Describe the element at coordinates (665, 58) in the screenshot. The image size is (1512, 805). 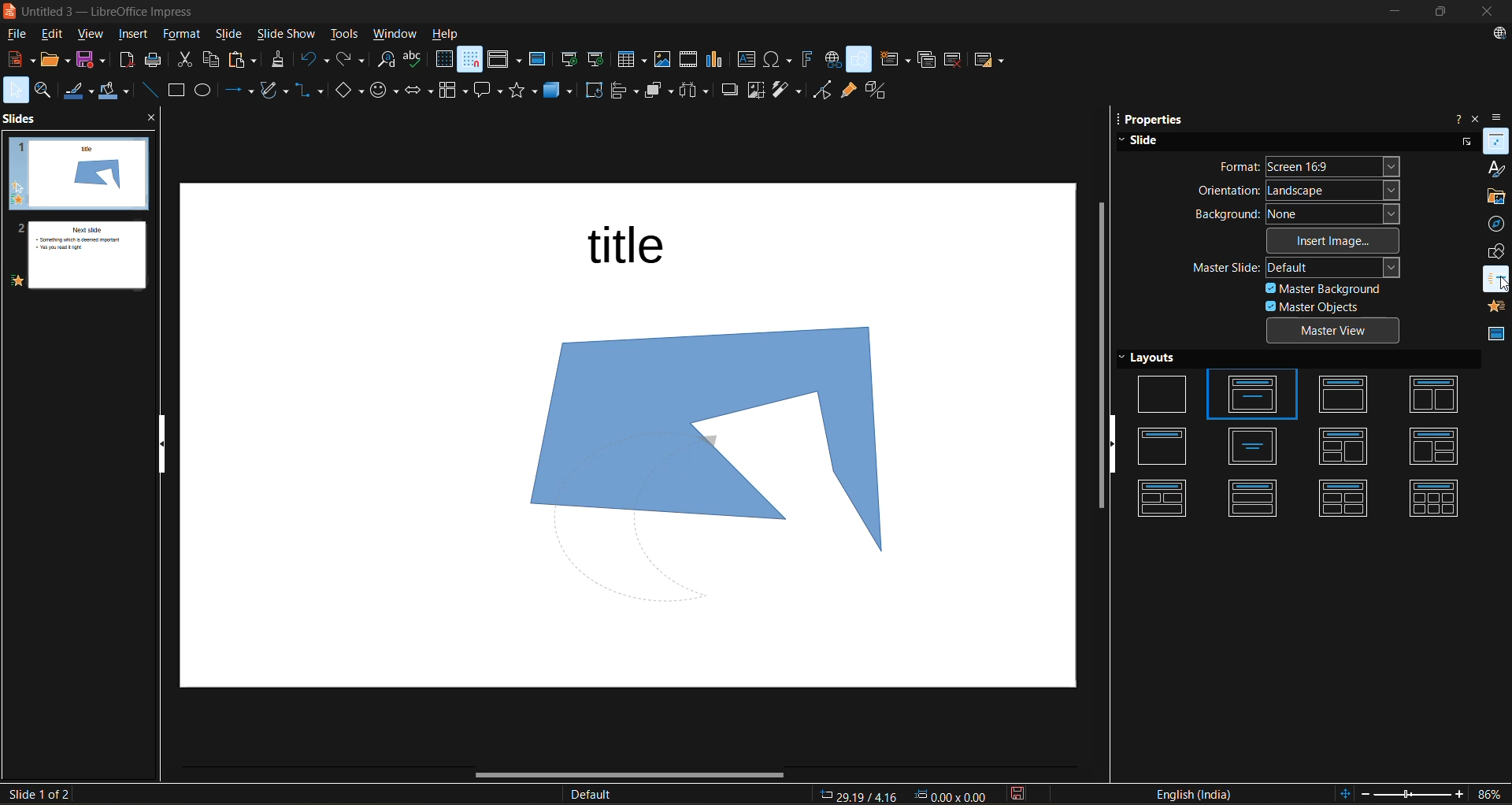
I see `insert image` at that location.